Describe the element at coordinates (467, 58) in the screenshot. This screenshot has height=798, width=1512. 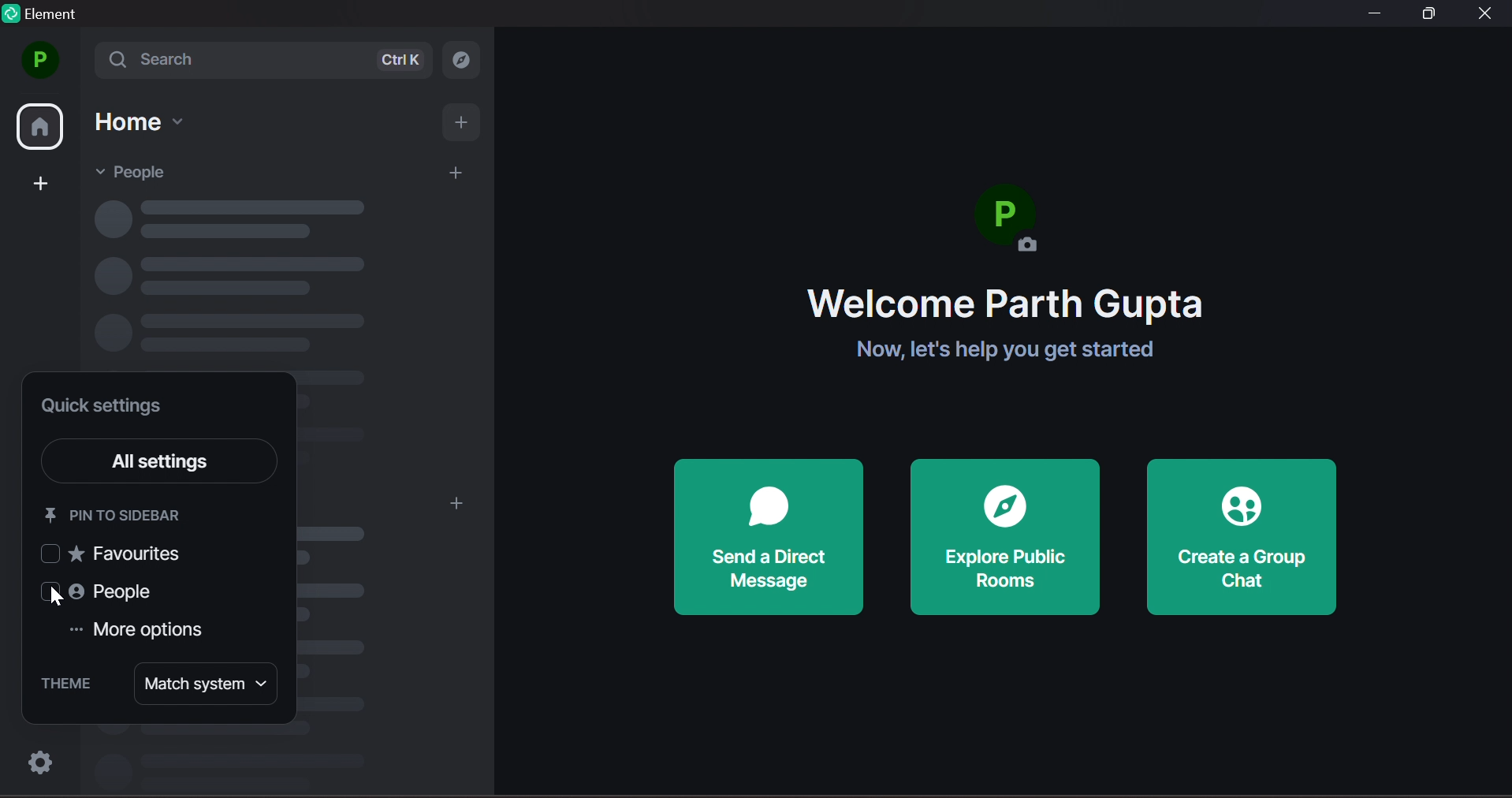
I see `search` at that location.